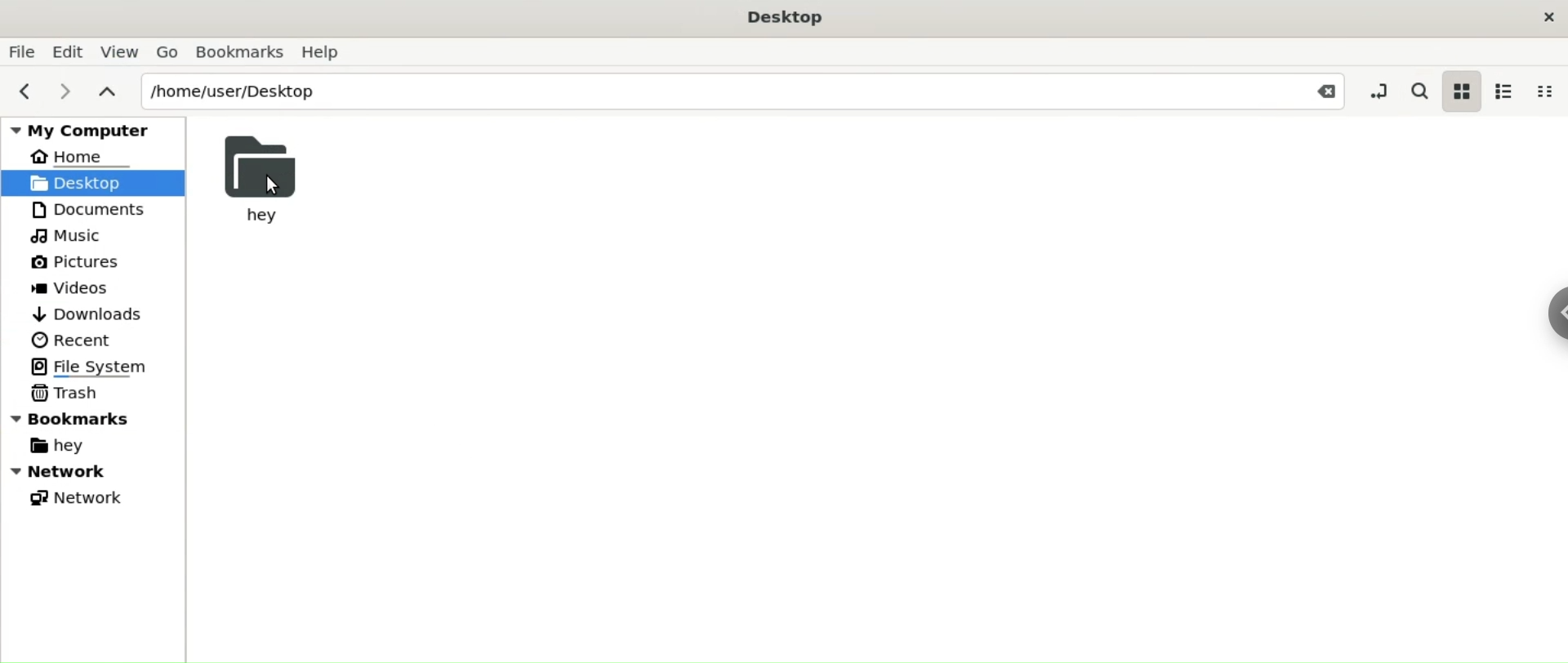 Image resolution: width=1568 pixels, height=663 pixels. I want to click on Pictures, so click(72, 262).